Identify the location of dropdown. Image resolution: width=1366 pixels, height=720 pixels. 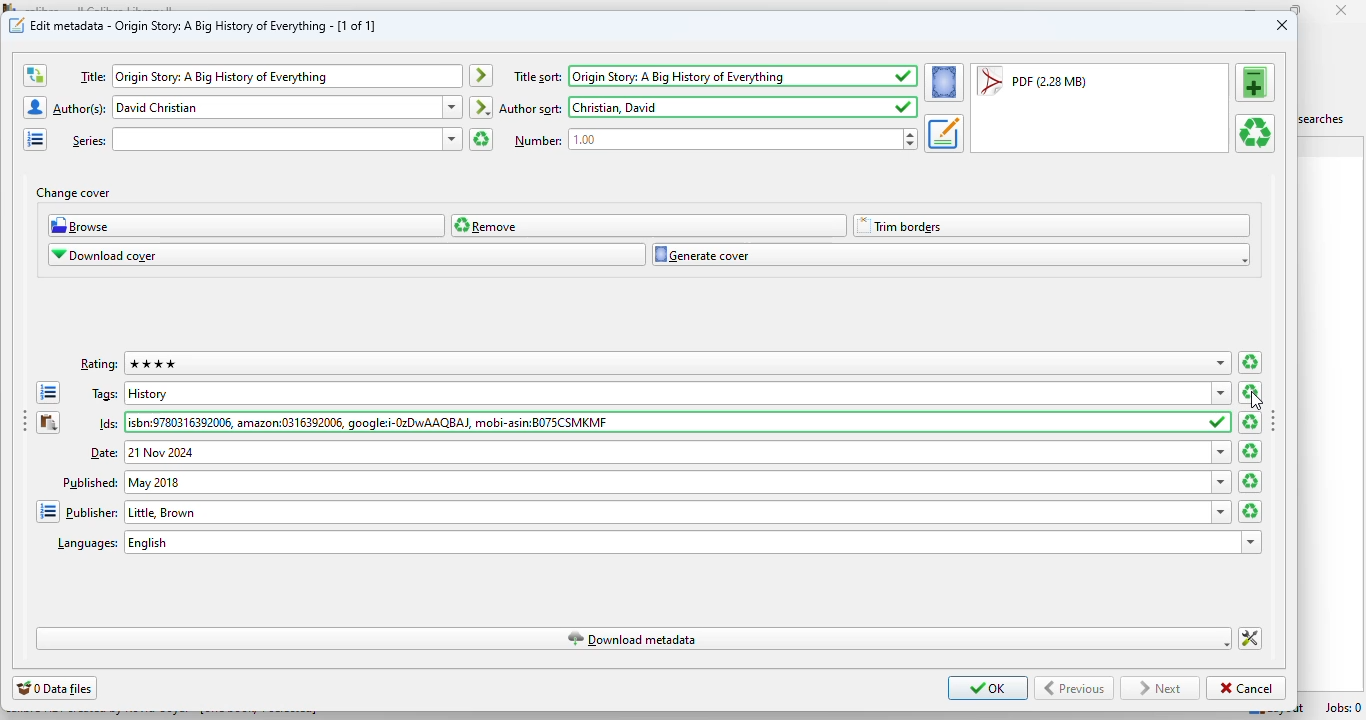
(1253, 542).